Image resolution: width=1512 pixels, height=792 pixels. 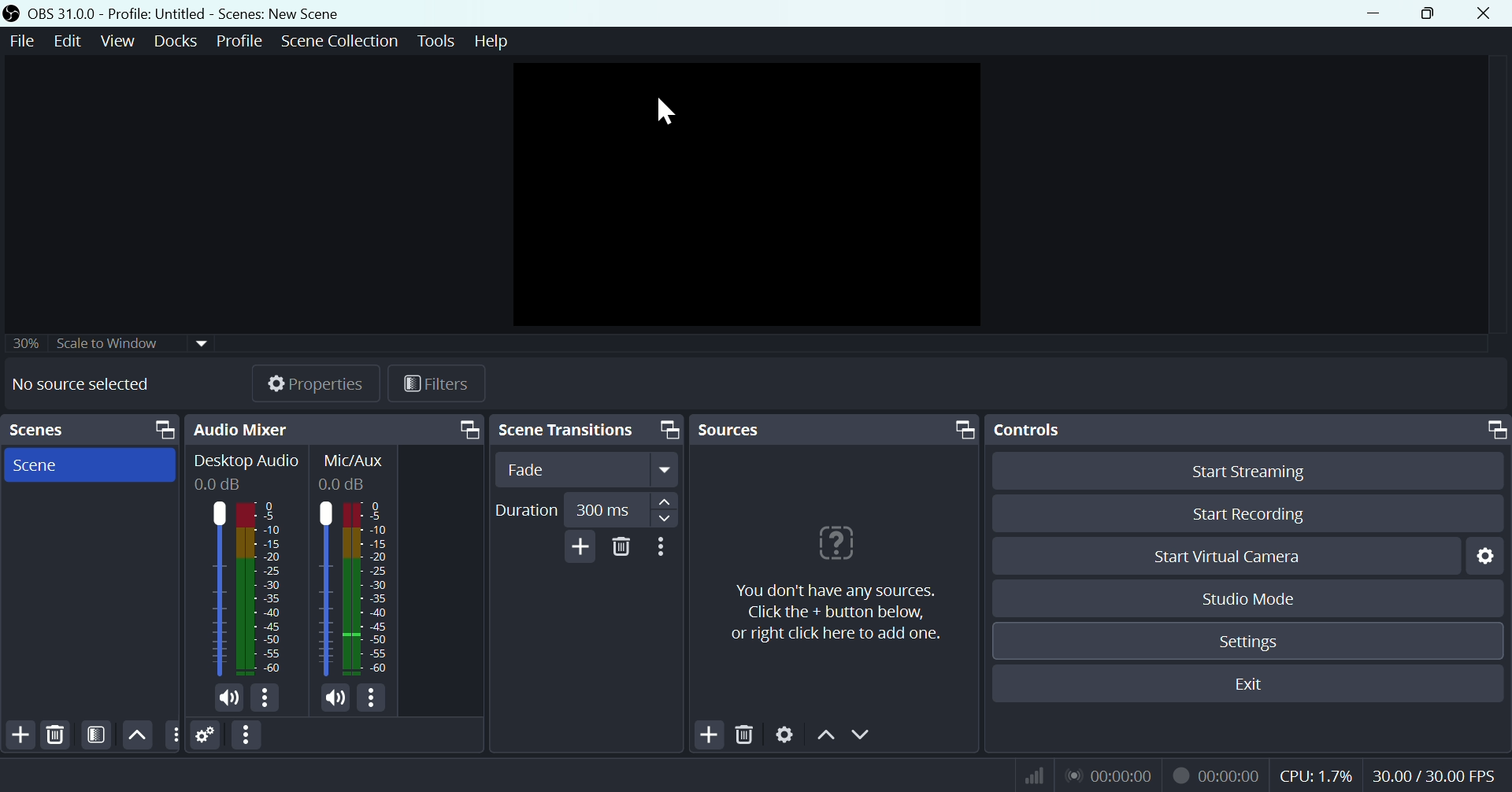 What do you see at coordinates (589, 509) in the screenshot?
I see `Duration` at bounding box center [589, 509].